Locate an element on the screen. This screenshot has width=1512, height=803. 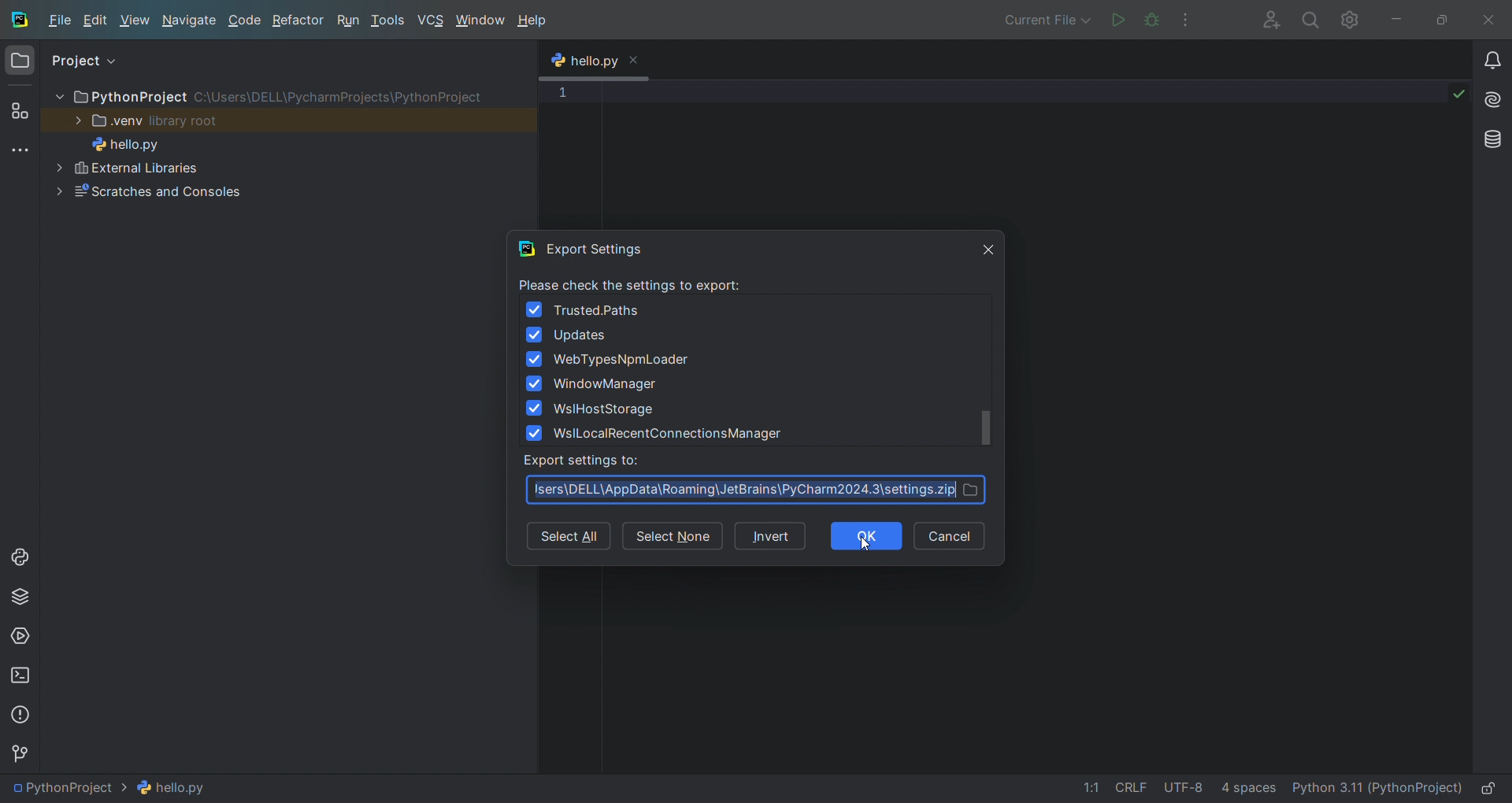
icon is located at coordinates (528, 248).